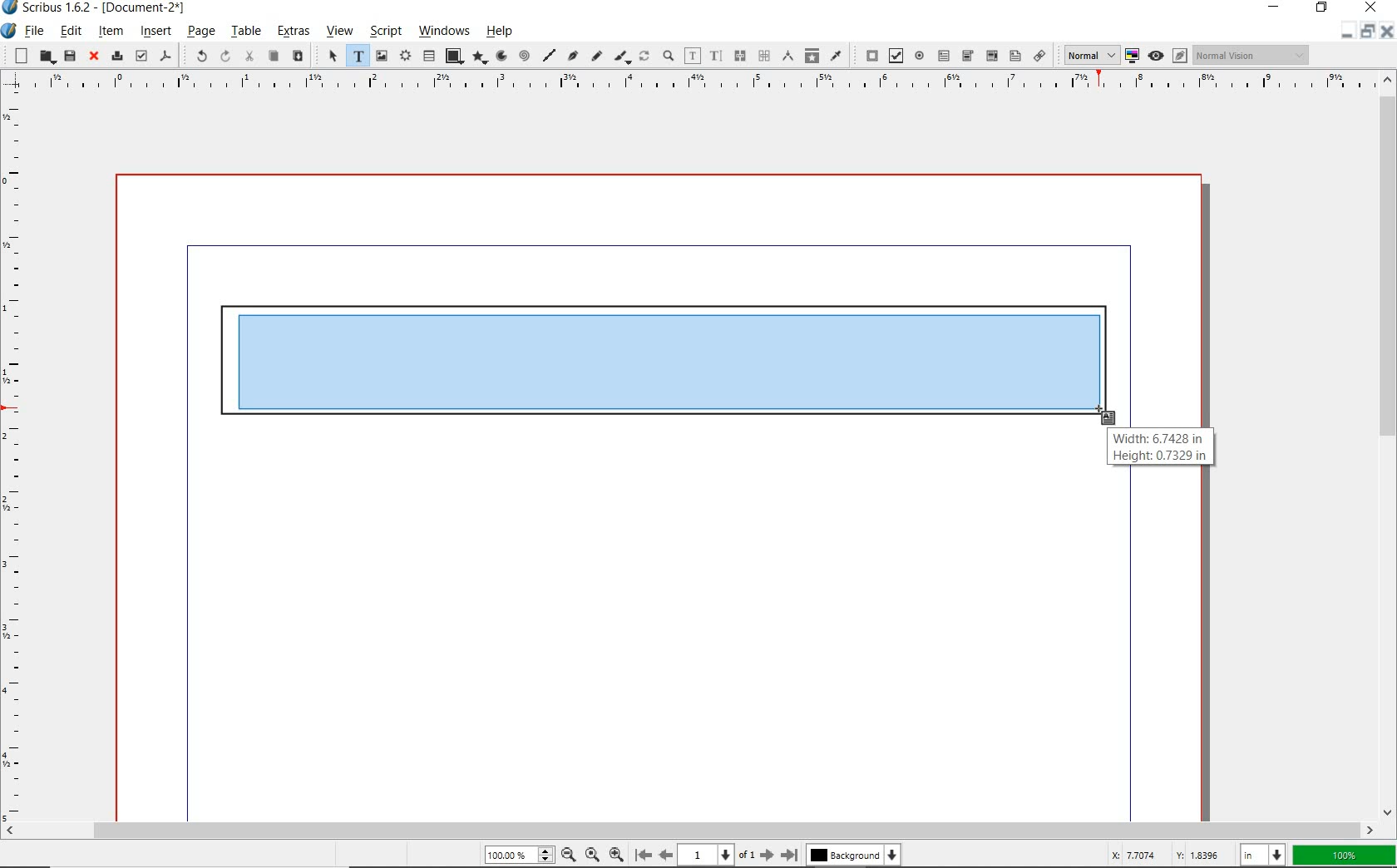  Describe the element at coordinates (644, 55) in the screenshot. I see `rotate item` at that location.